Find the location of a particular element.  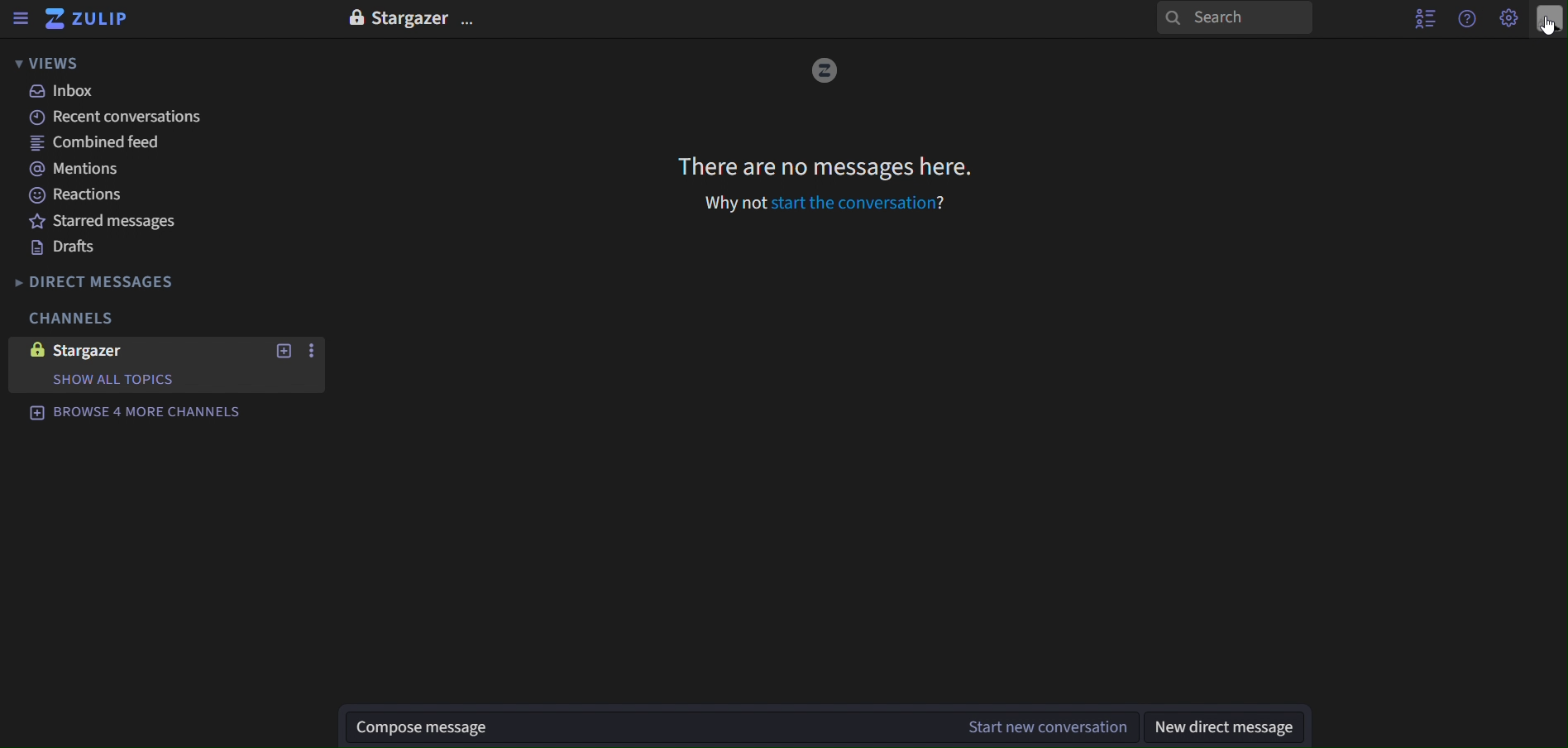

zulip is located at coordinates (96, 21).